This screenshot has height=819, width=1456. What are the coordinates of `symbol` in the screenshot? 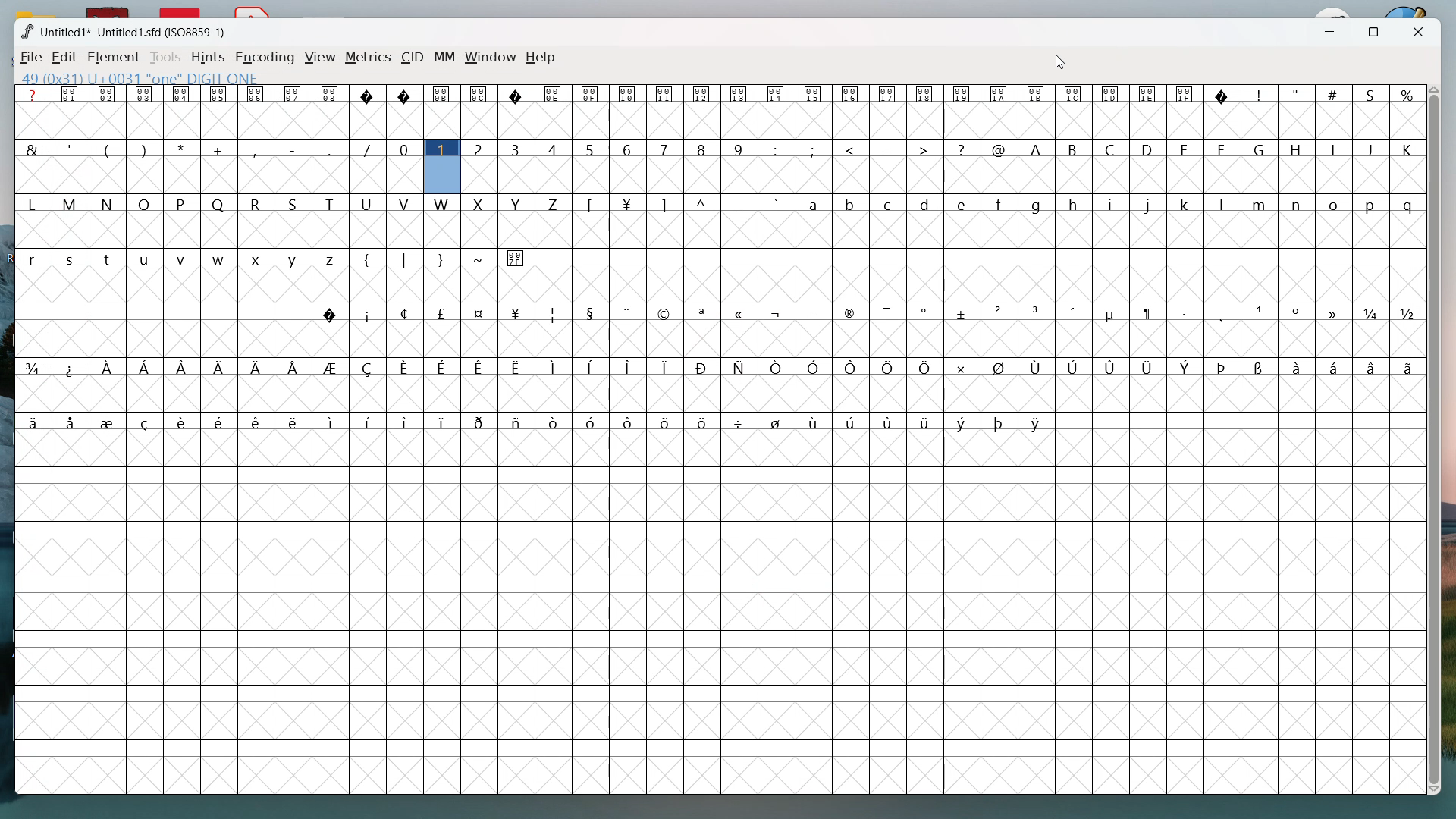 It's located at (817, 367).